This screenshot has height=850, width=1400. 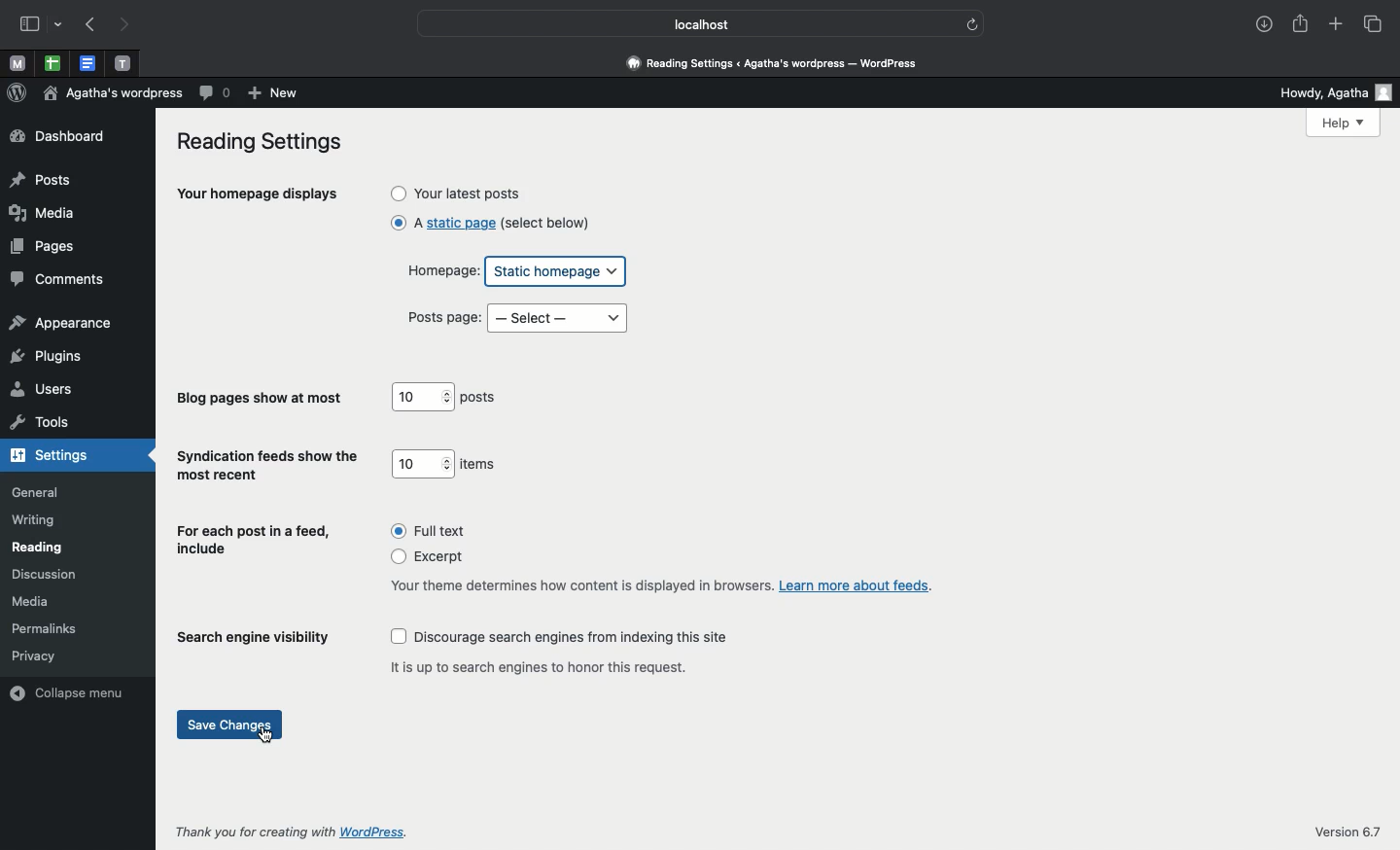 I want to click on users, so click(x=43, y=391).